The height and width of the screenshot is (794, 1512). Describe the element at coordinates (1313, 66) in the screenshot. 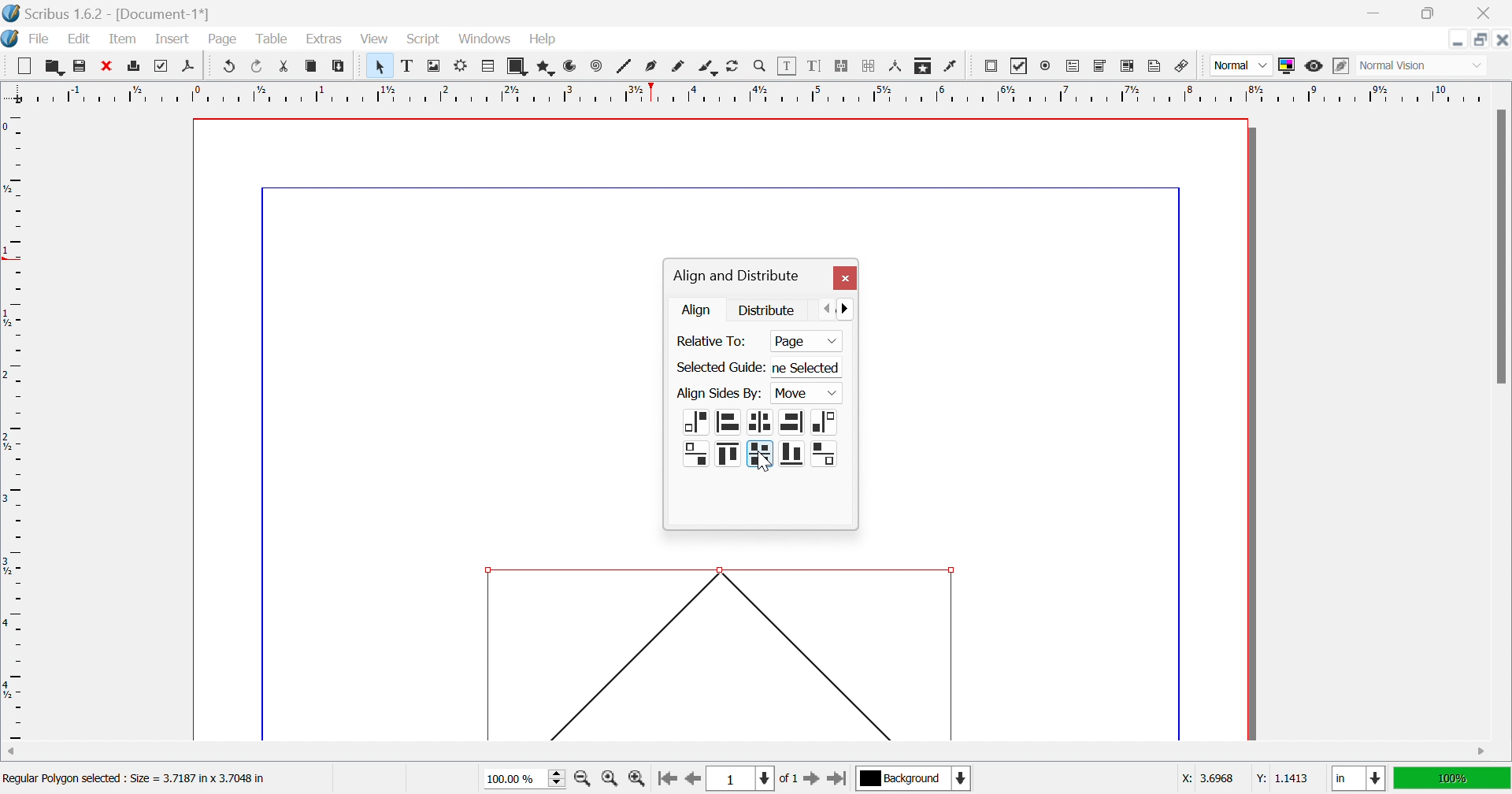

I see `Preview mode` at that location.